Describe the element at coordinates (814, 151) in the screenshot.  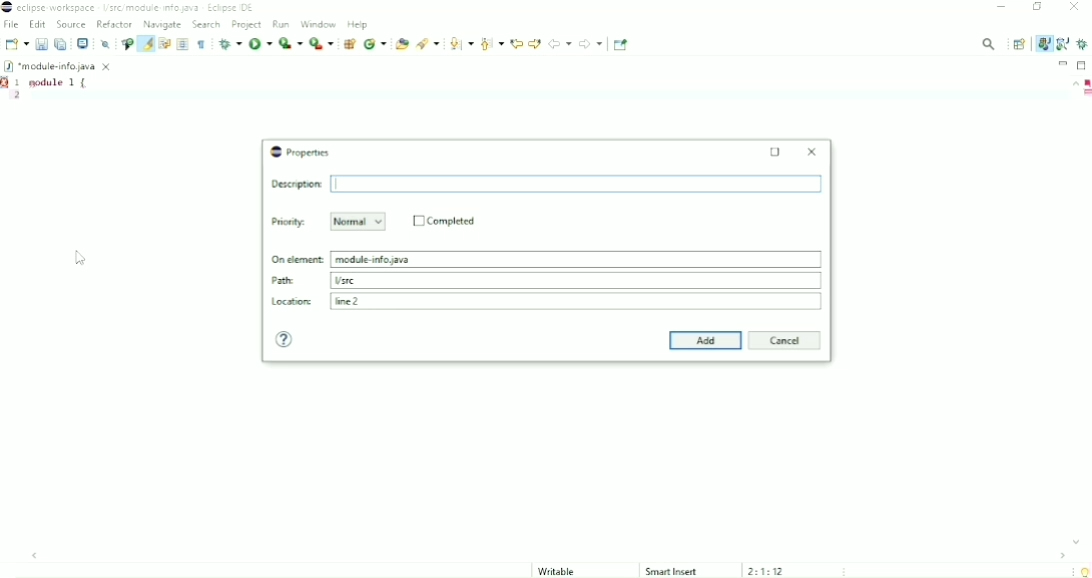
I see `Close` at that location.